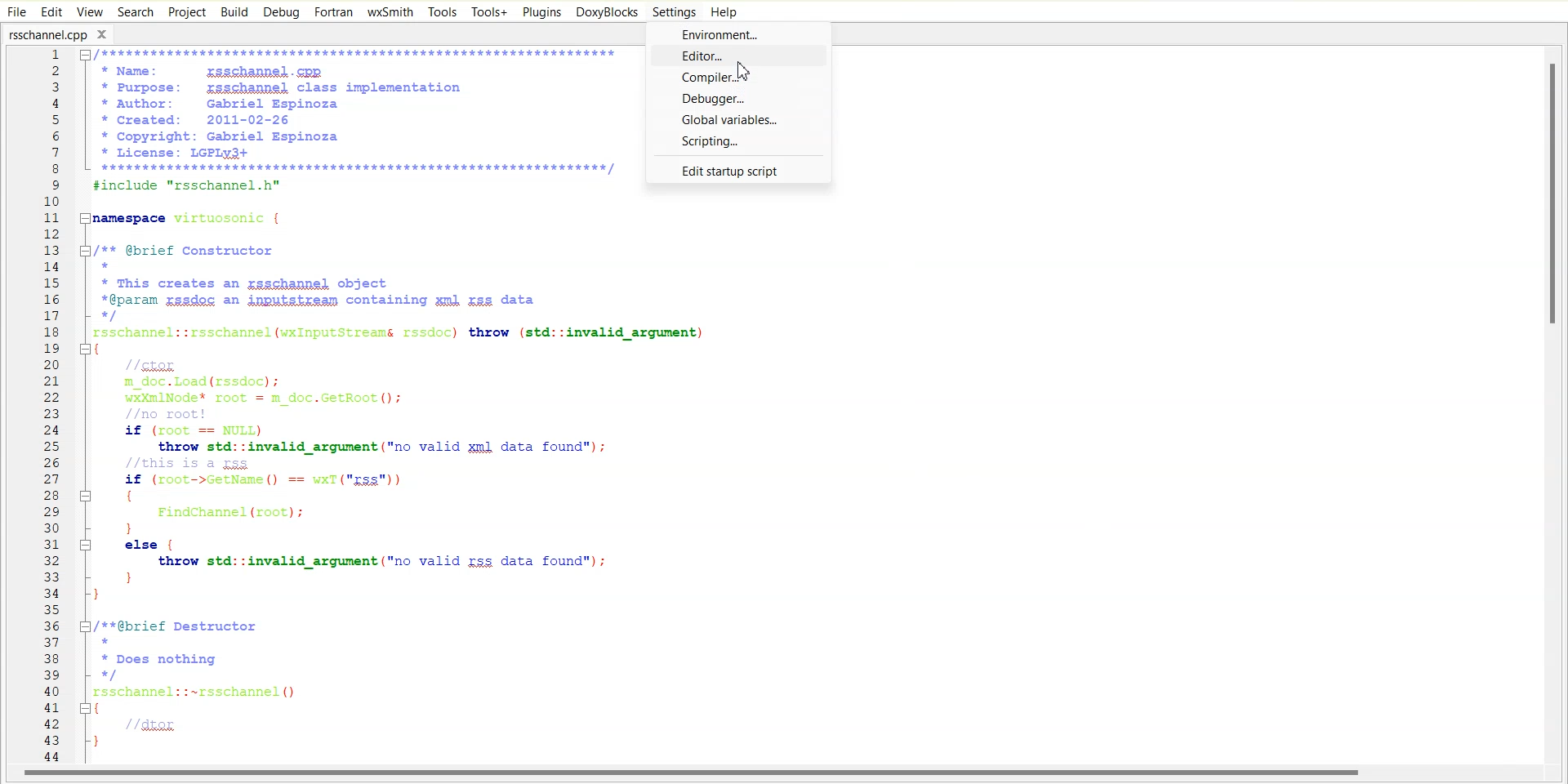 The height and width of the screenshot is (784, 1568). I want to click on File, so click(17, 11).